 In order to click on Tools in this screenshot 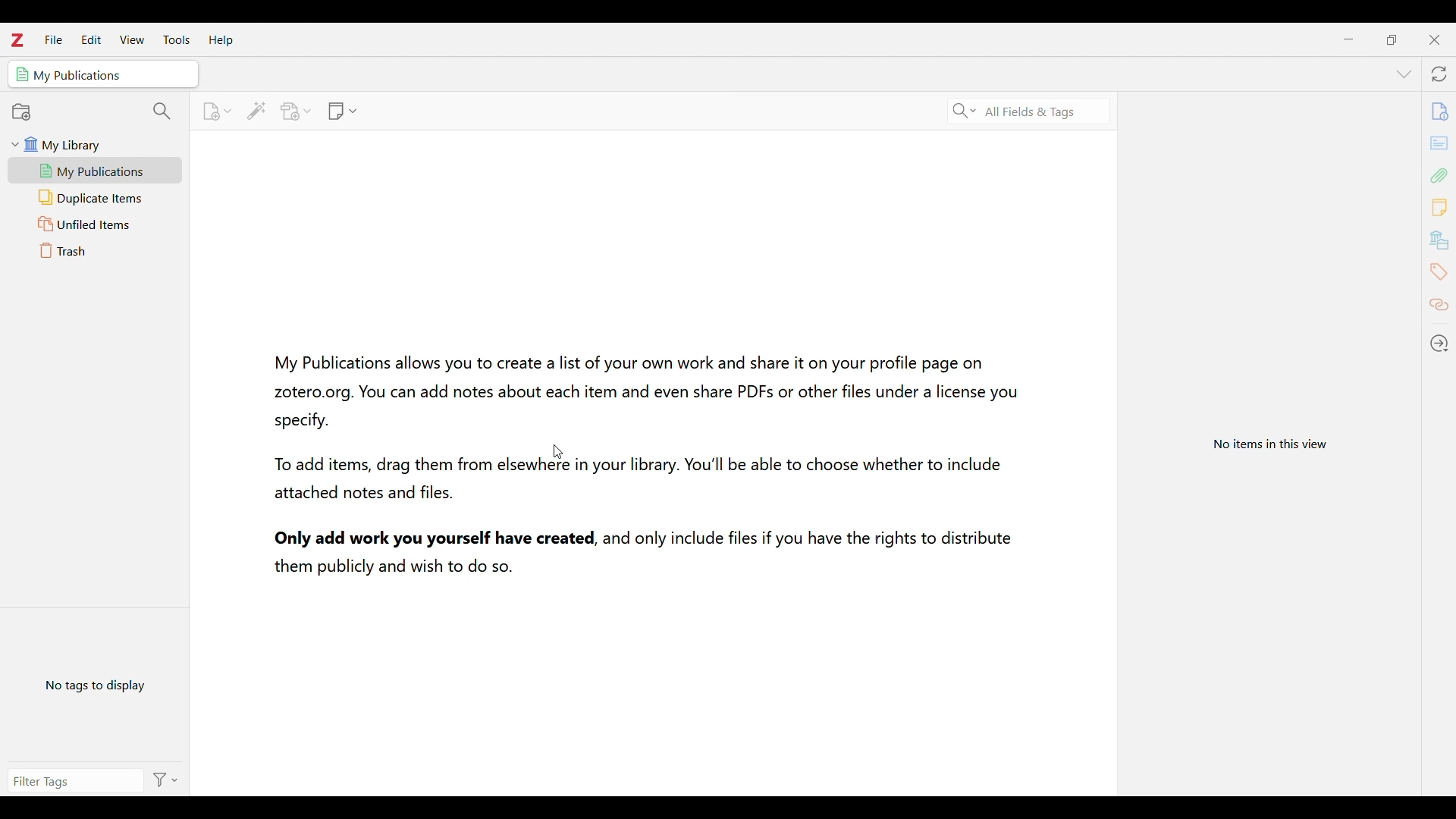, I will do `click(177, 39)`.